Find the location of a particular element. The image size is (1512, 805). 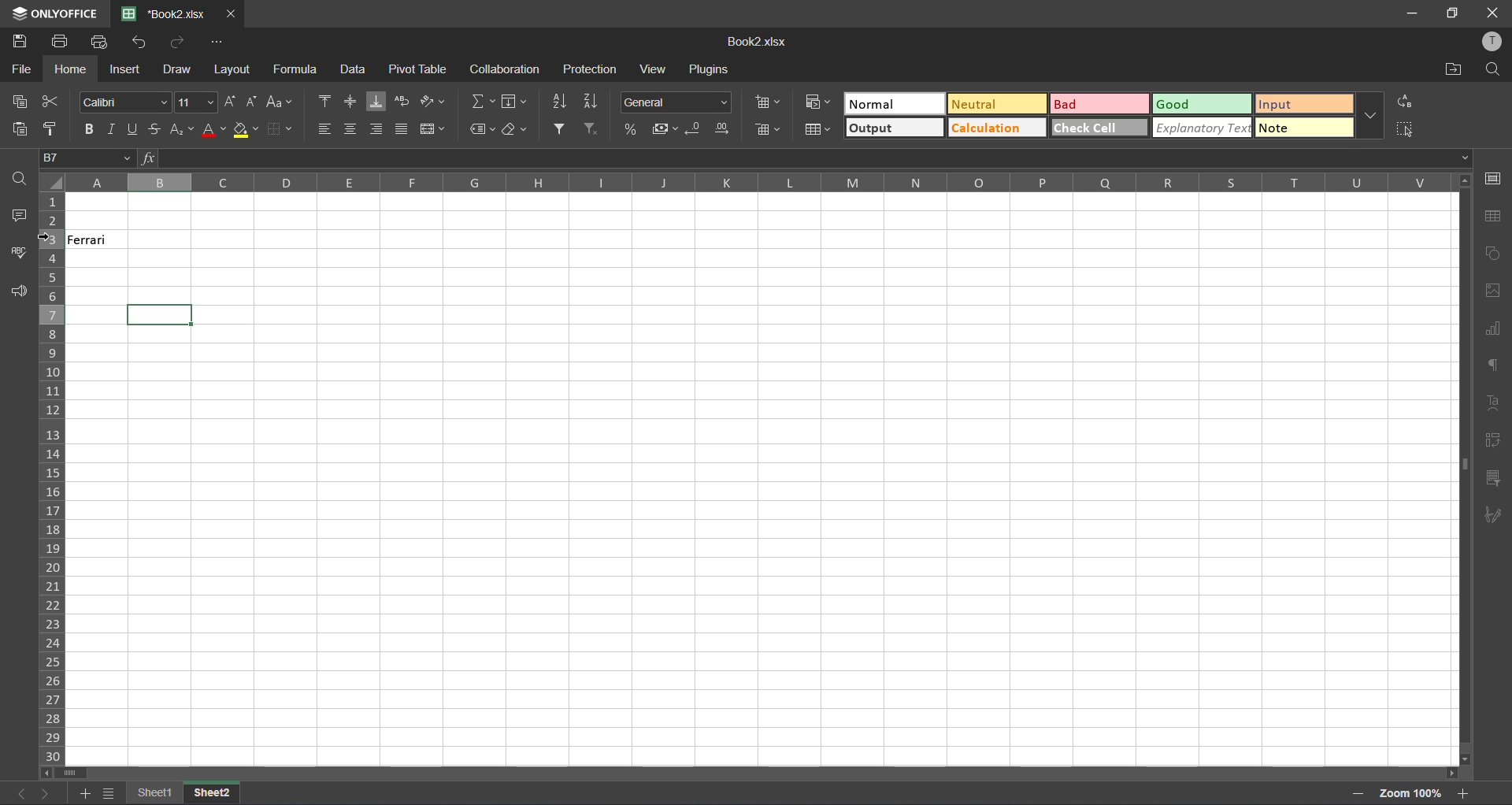

justified is located at coordinates (403, 127).